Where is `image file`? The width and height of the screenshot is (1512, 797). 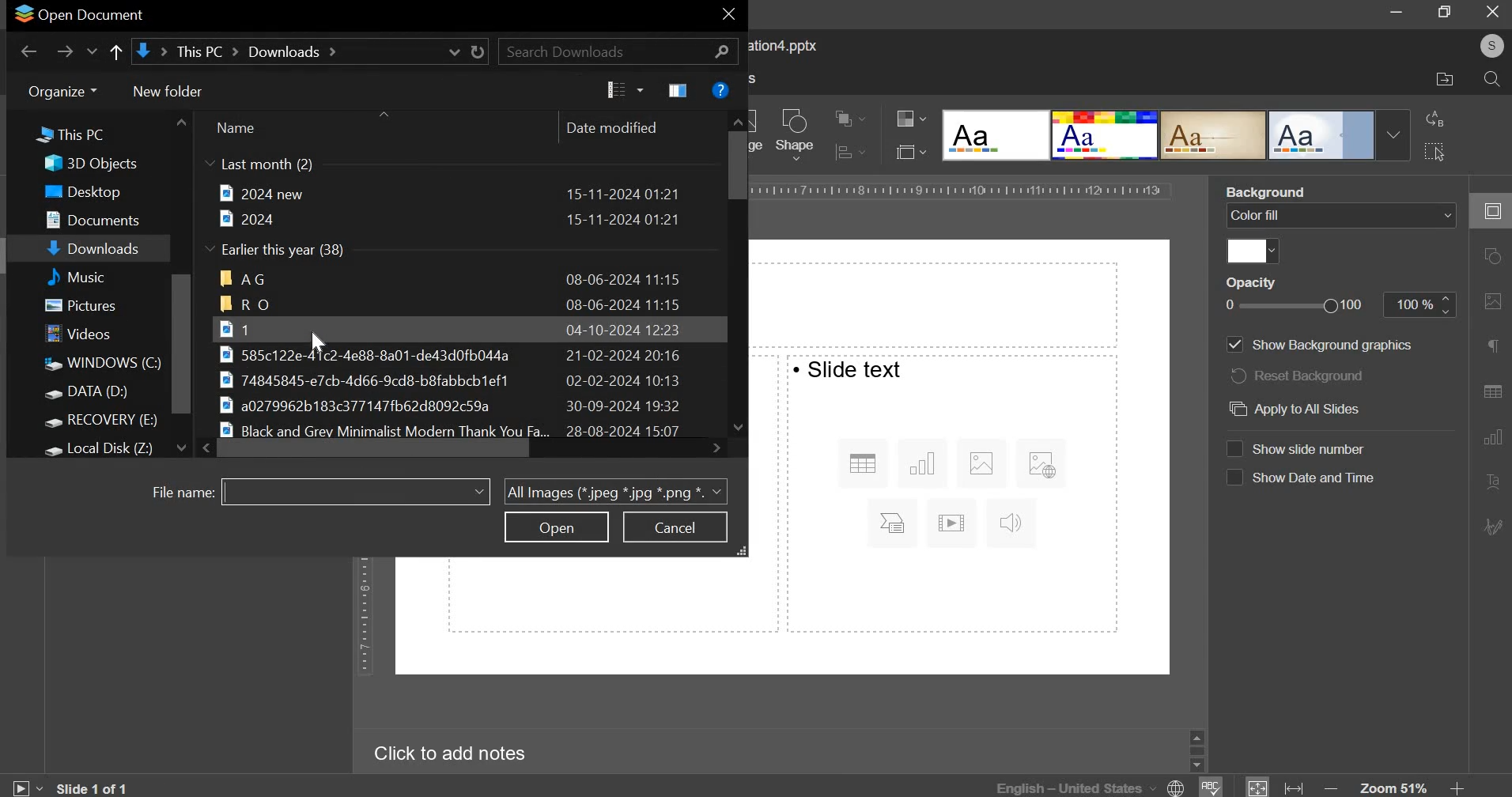 image file is located at coordinates (449, 328).